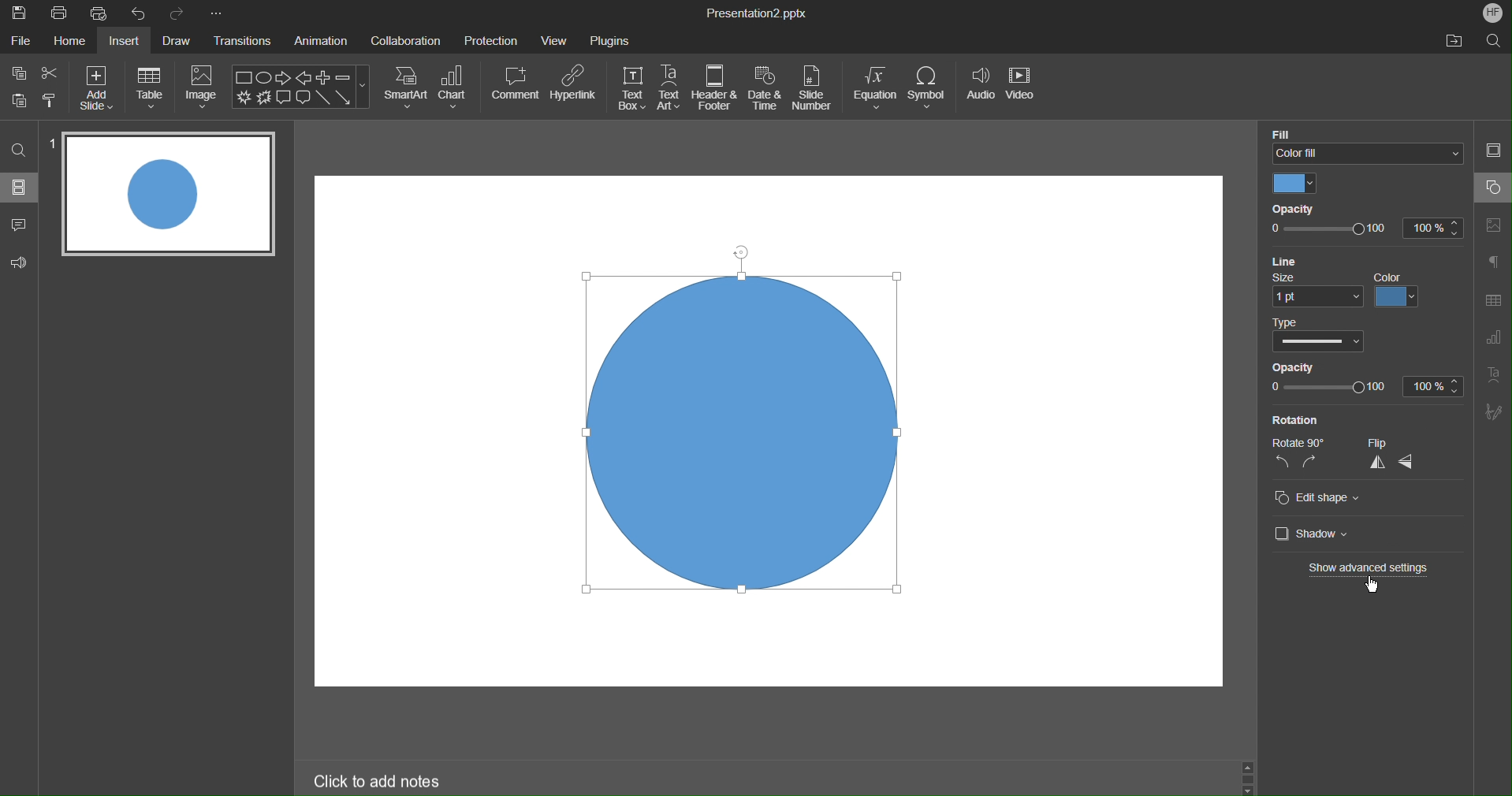 This screenshot has width=1512, height=796. What do you see at coordinates (815, 89) in the screenshot?
I see `Slide Number` at bounding box center [815, 89].